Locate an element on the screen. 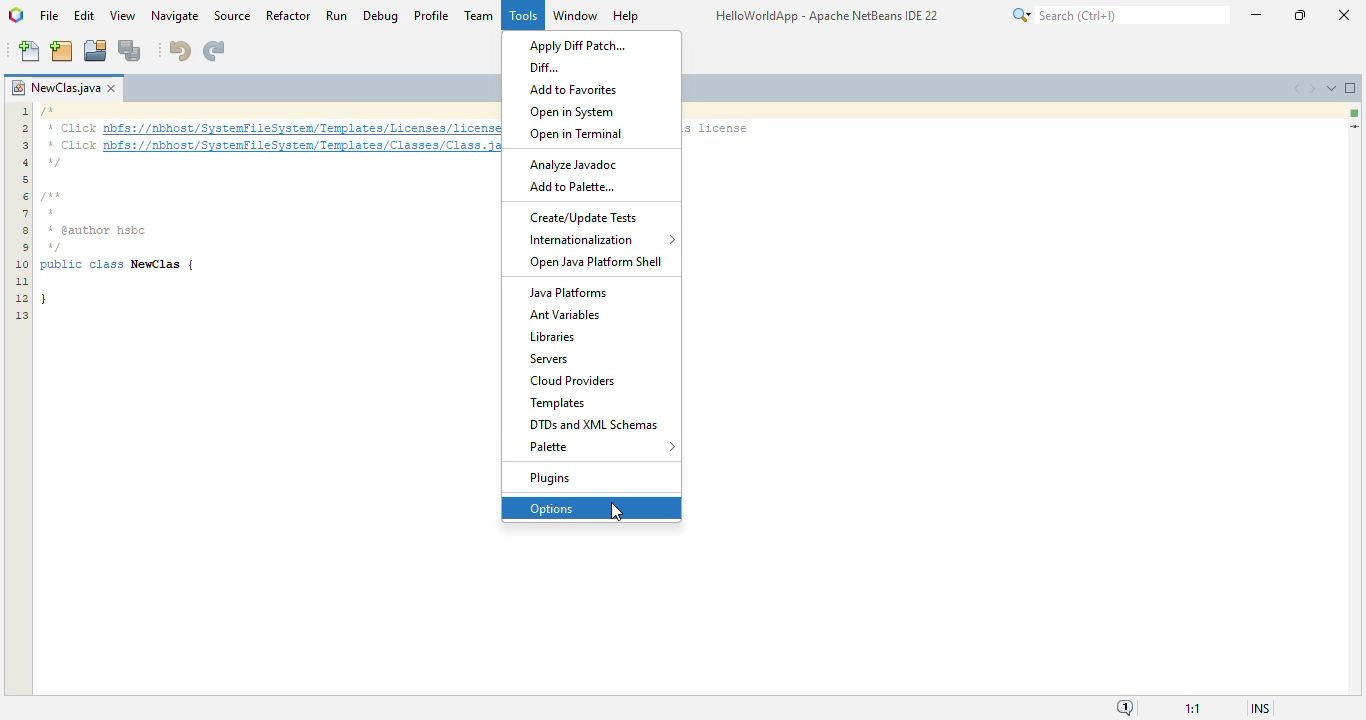  help is located at coordinates (627, 15).